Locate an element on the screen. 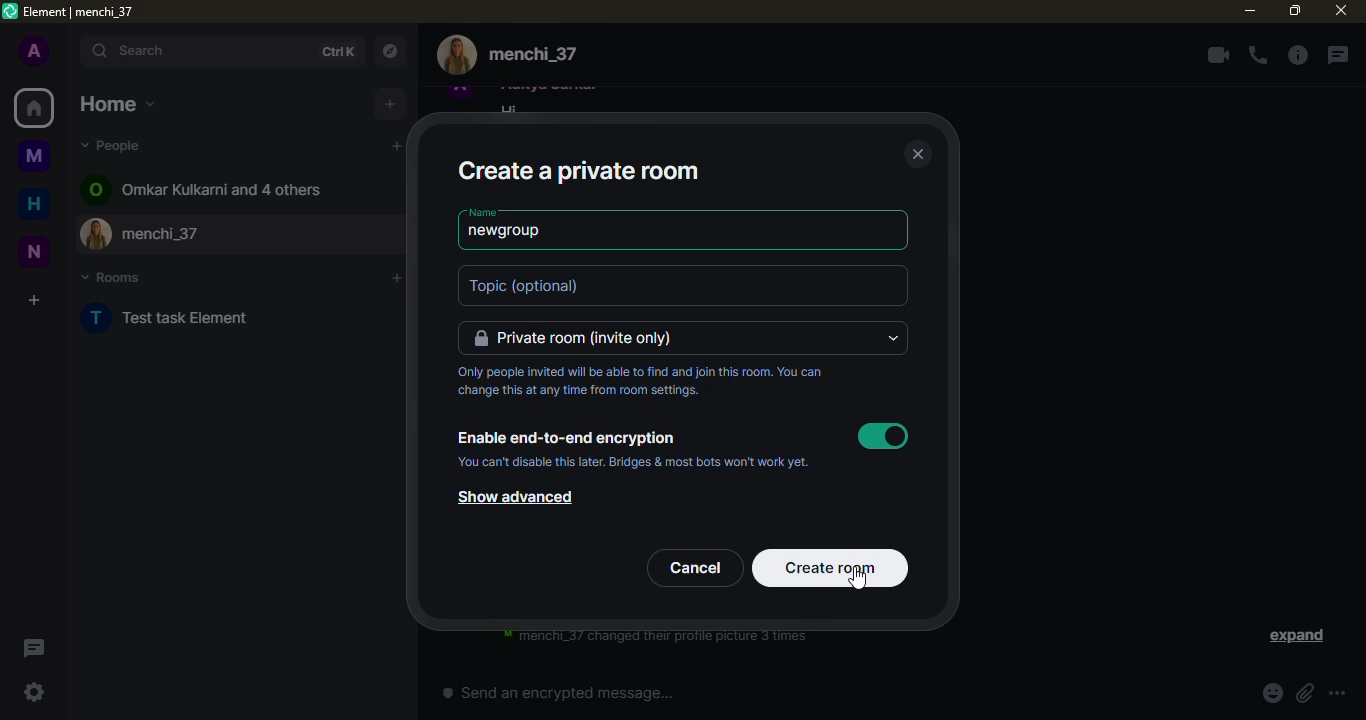 The width and height of the screenshot is (1366, 720). Input space for private room (invite only) is located at coordinates (671, 338).